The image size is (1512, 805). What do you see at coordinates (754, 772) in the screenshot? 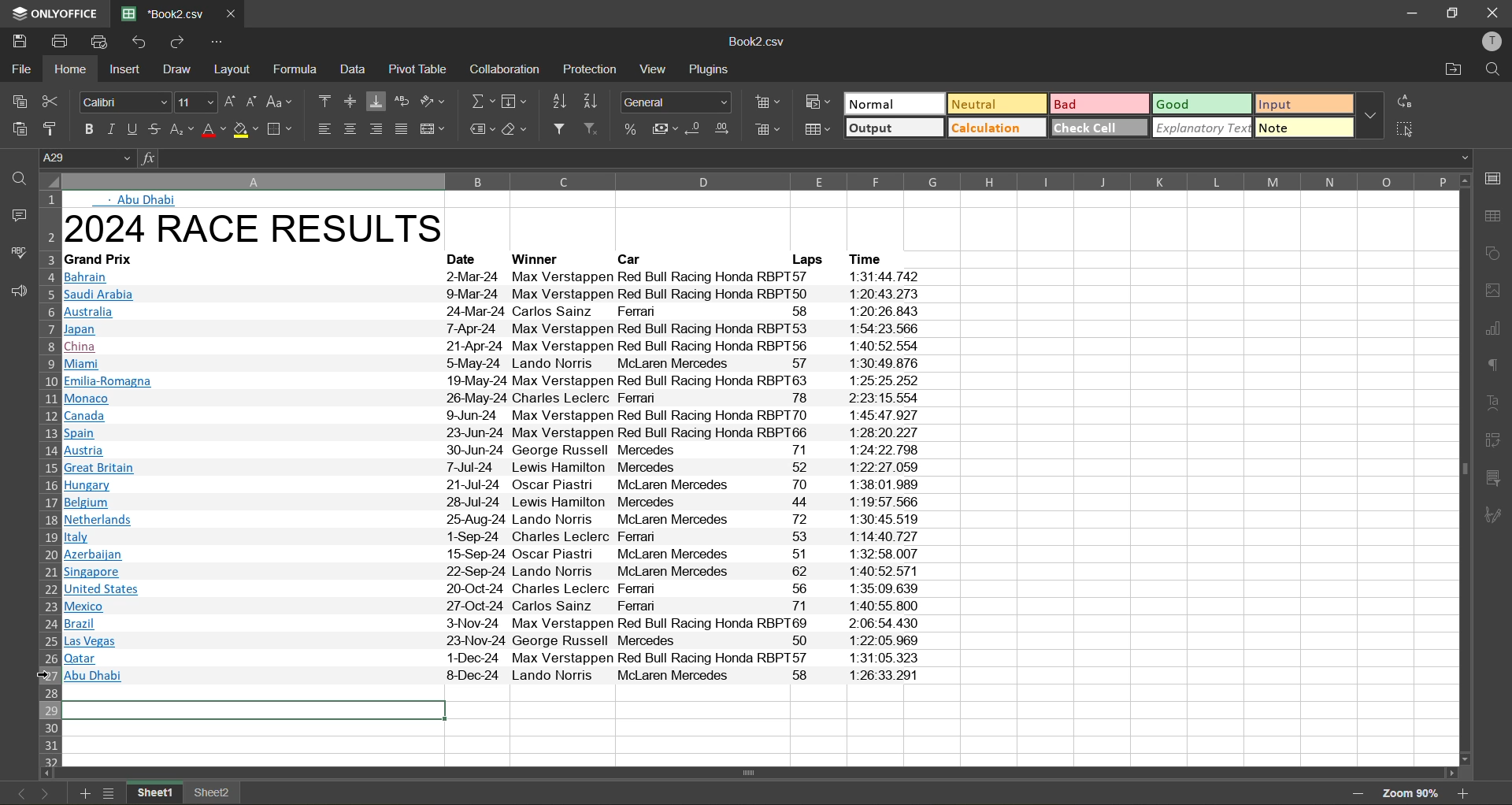
I see `horizontal scrollbar` at bounding box center [754, 772].